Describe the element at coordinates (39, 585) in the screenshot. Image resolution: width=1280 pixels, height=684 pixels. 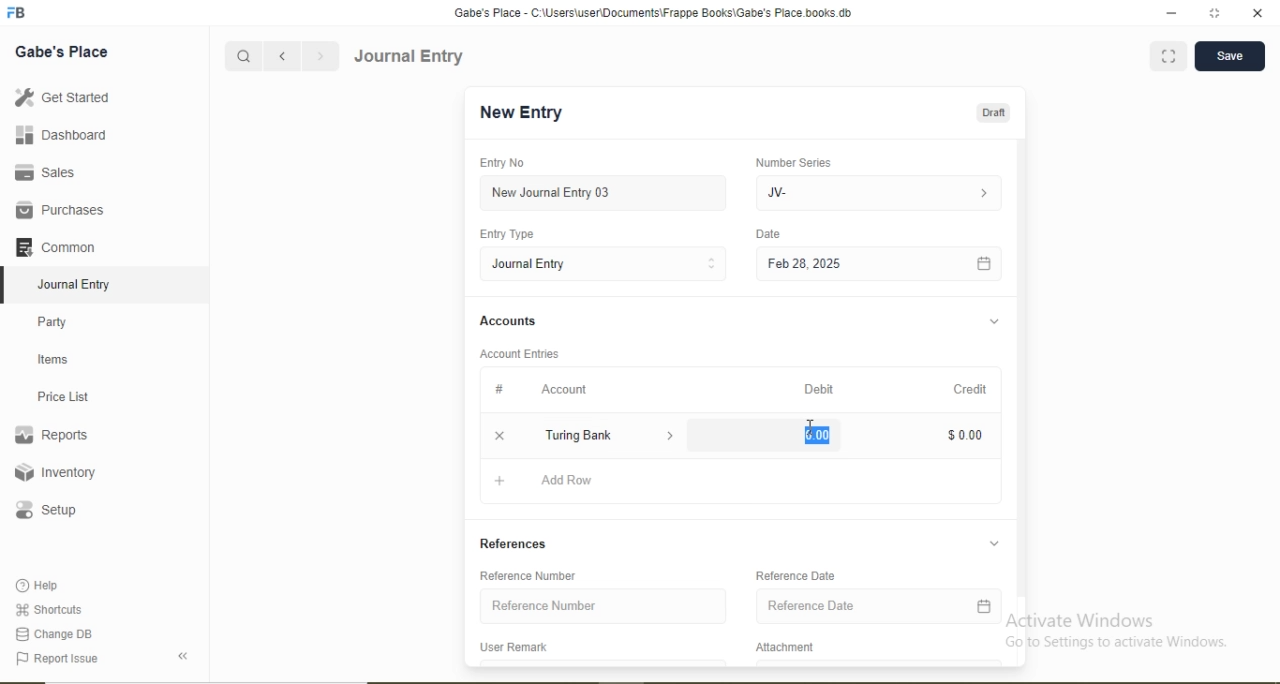
I see `Help` at that location.